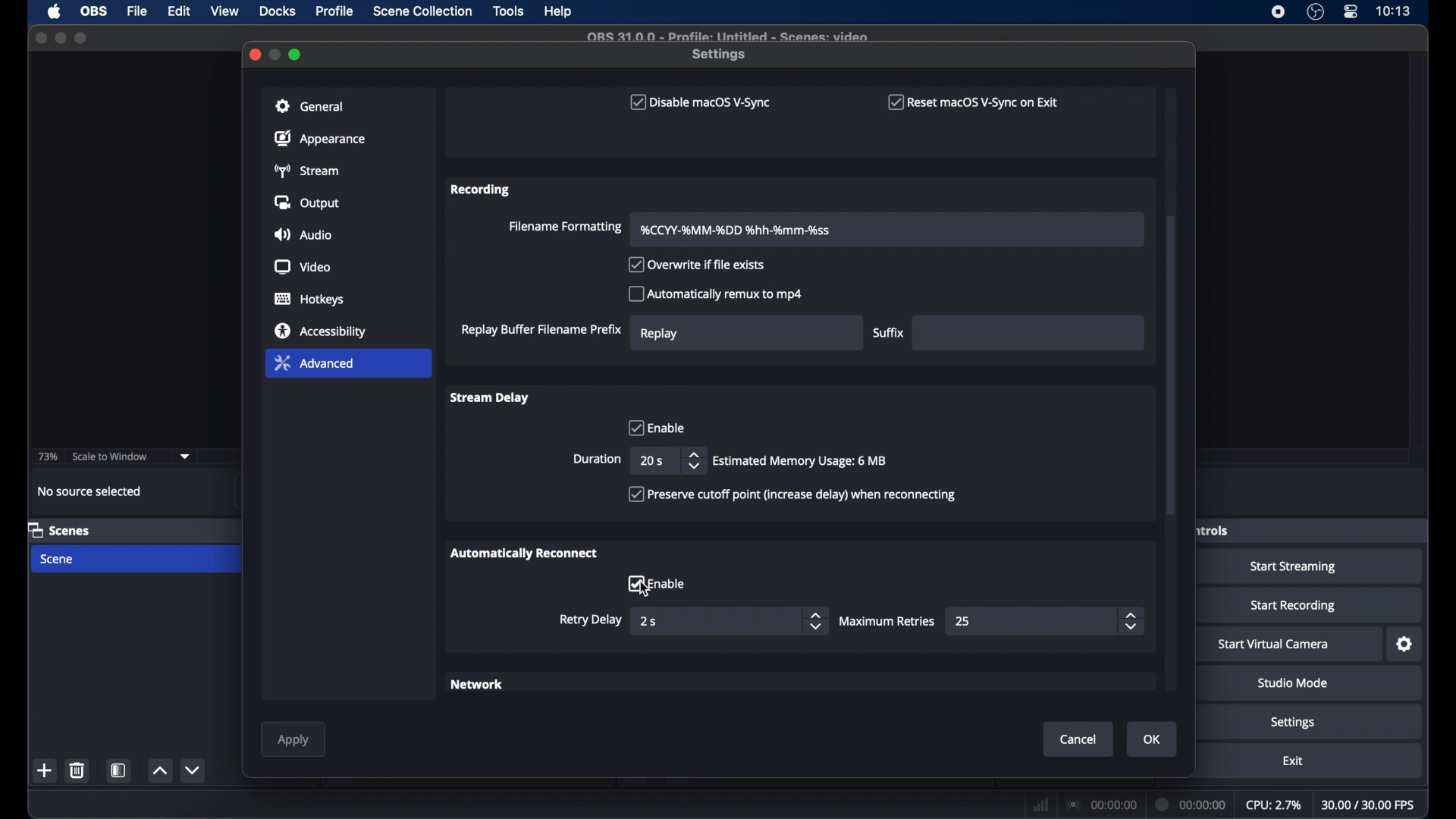  Describe the element at coordinates (737, 230) in the screenshot. I see `Filename format` at that location.